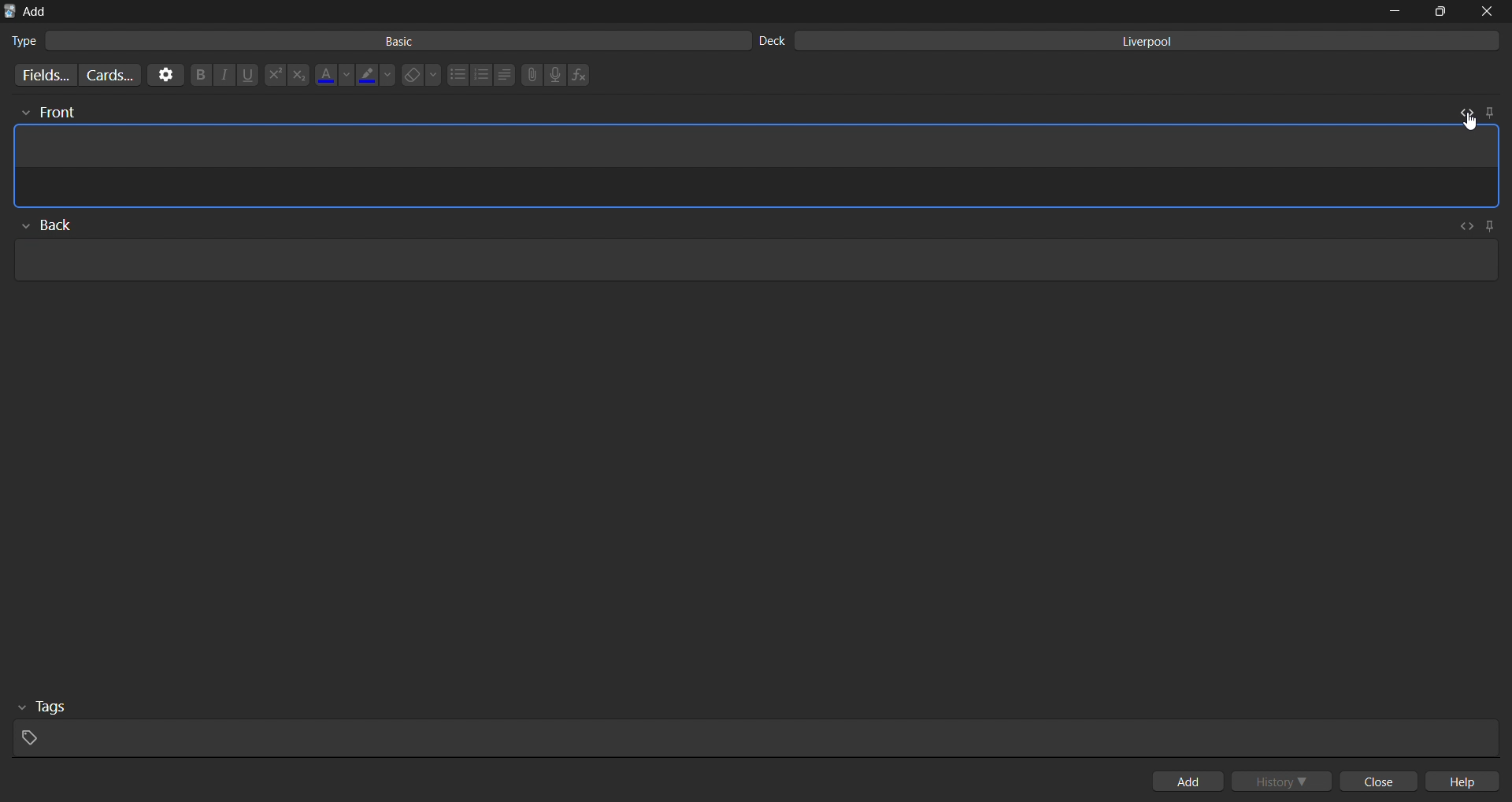 The image size is (1512, 802). Describe the element at coordinates (760, 149) in the screenshot. I see `card preview` at that location.